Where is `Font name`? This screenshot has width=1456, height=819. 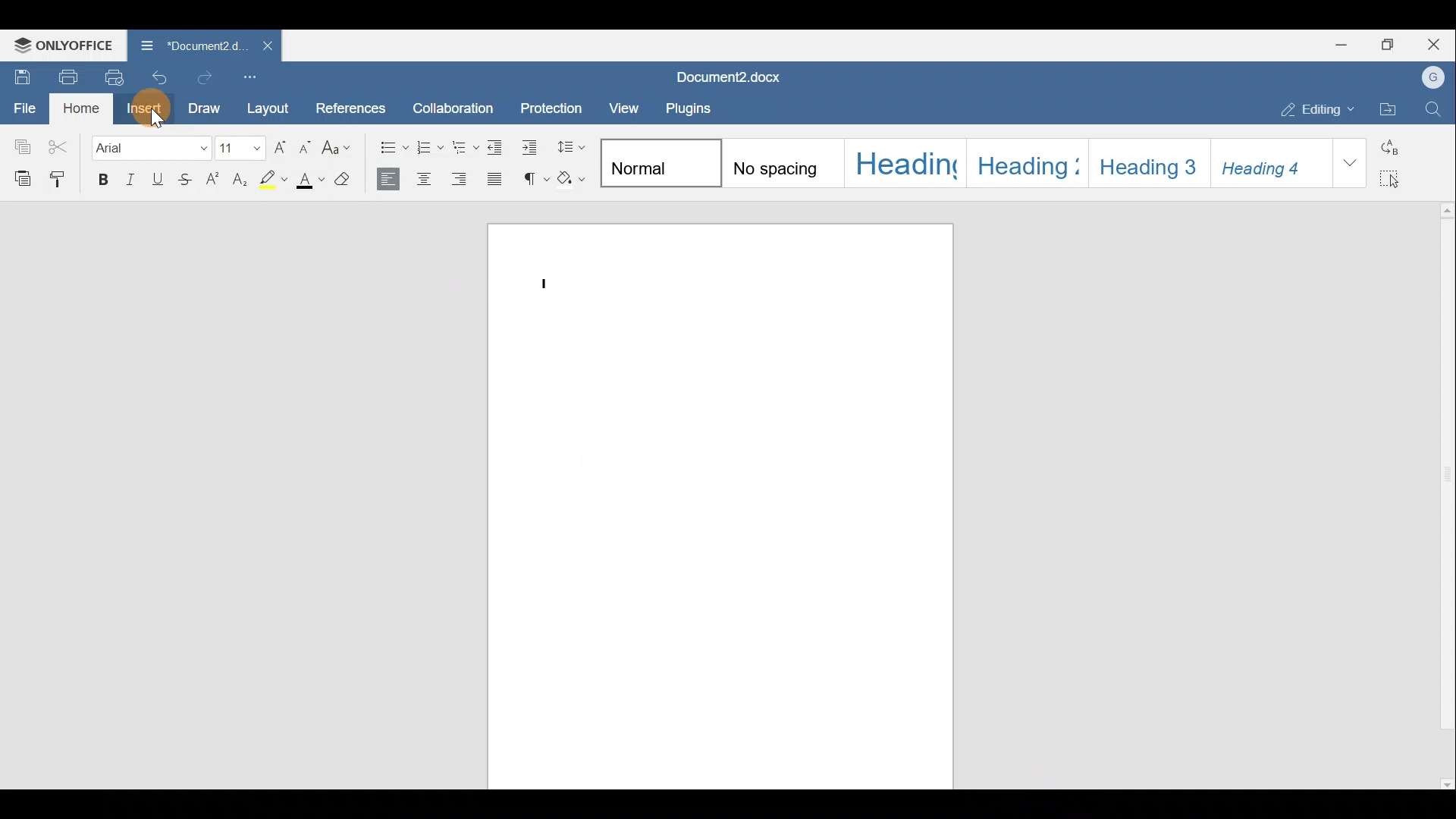
Font name is located at coordinates (153, 146).